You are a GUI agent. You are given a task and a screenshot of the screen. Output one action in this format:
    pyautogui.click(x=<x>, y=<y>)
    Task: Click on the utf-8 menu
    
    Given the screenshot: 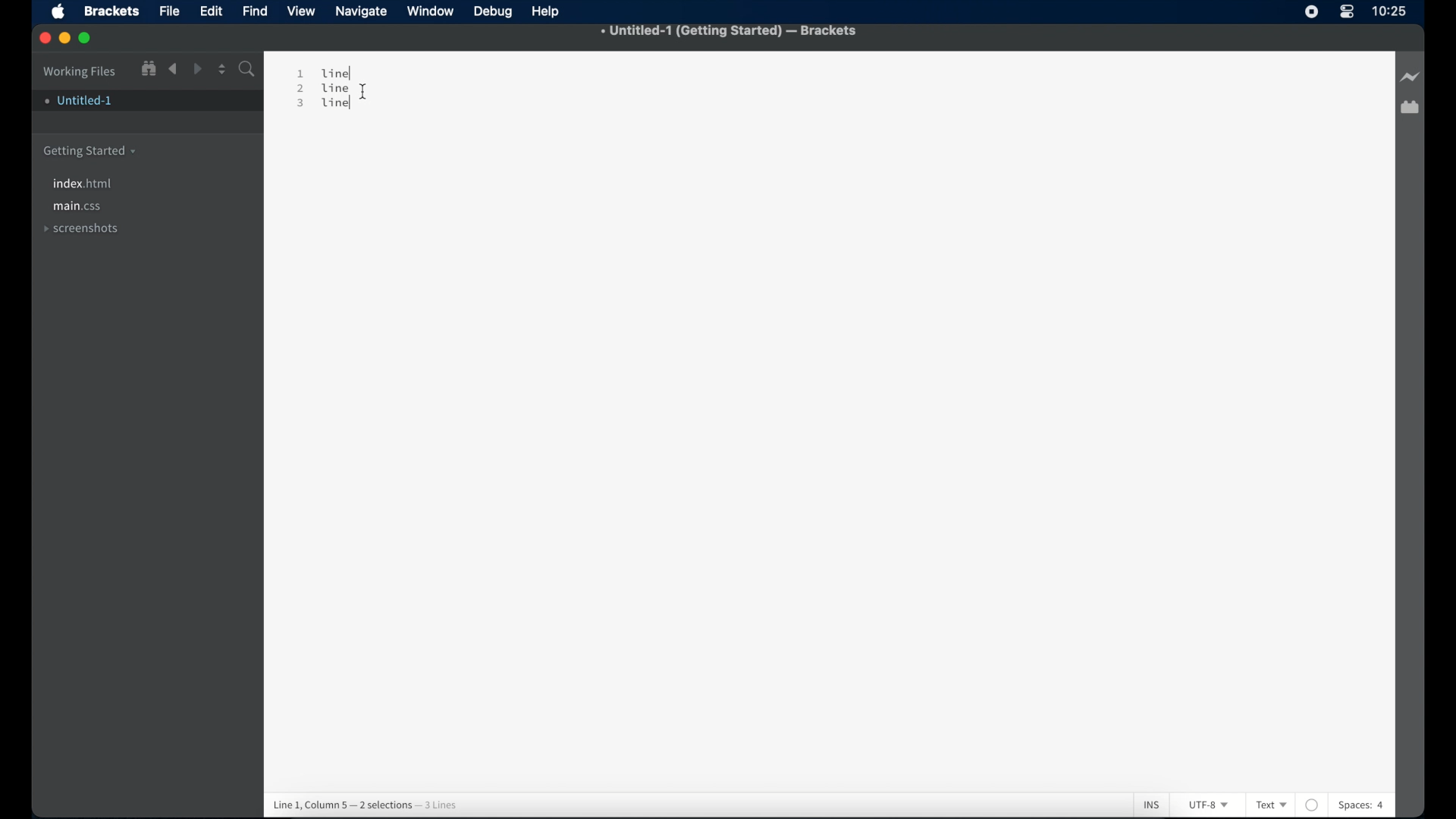 What is the action you would take?
    pyautogui.click(x=1210, y=805)
    